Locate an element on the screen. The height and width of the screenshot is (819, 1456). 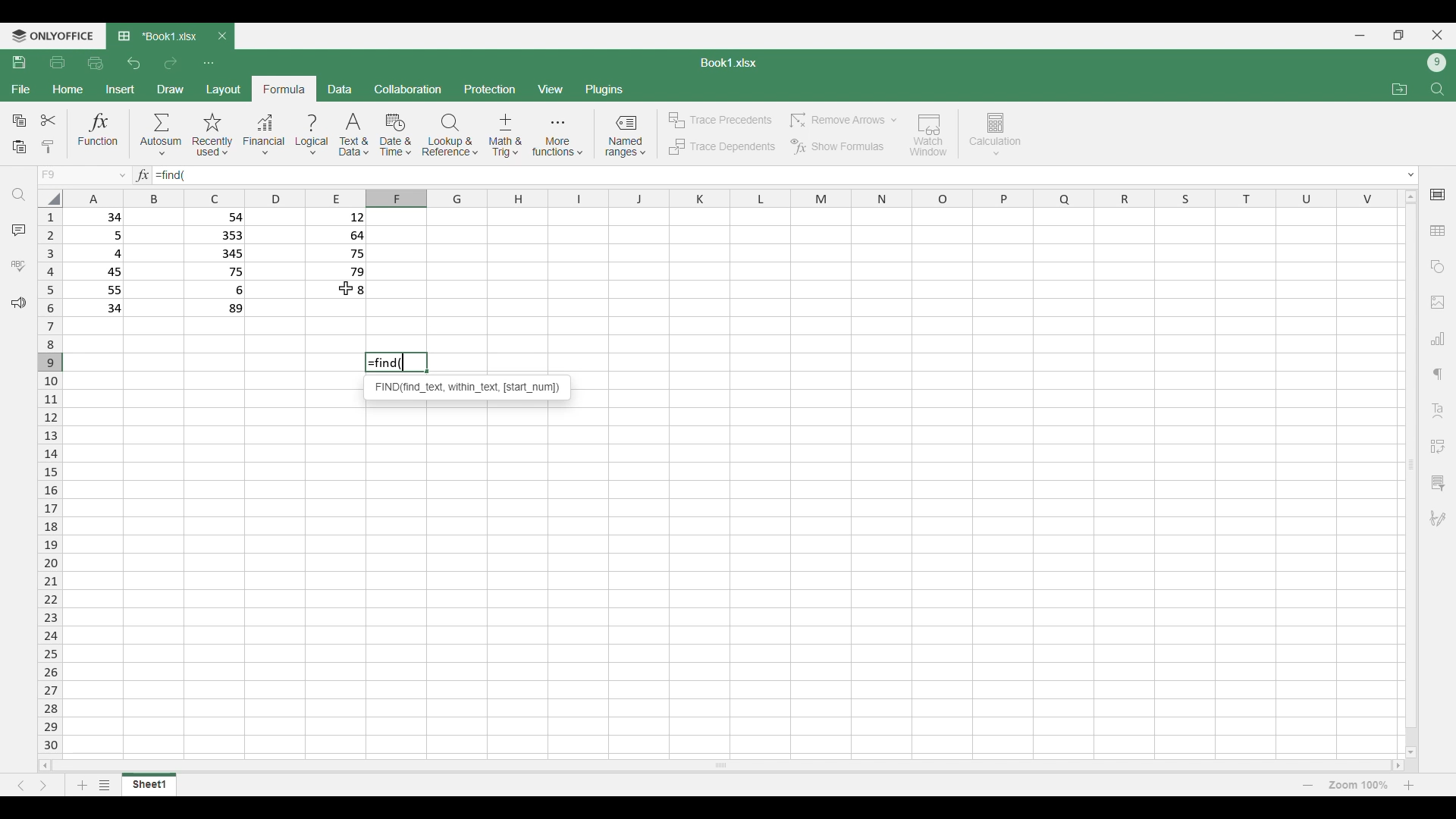
Vertical slide bar is located at coordinates (1412, 474).